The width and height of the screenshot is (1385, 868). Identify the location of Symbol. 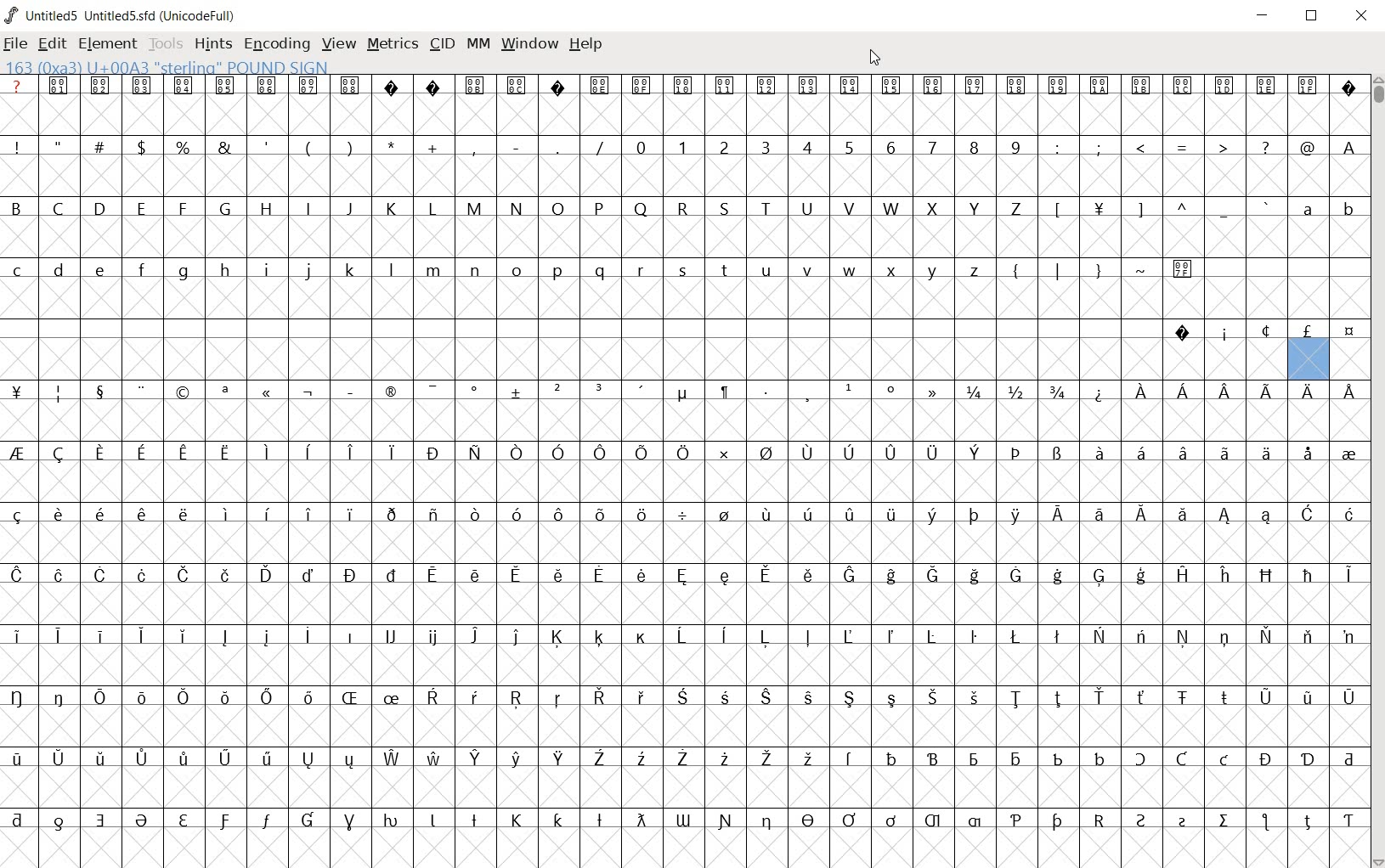
(599, 759).